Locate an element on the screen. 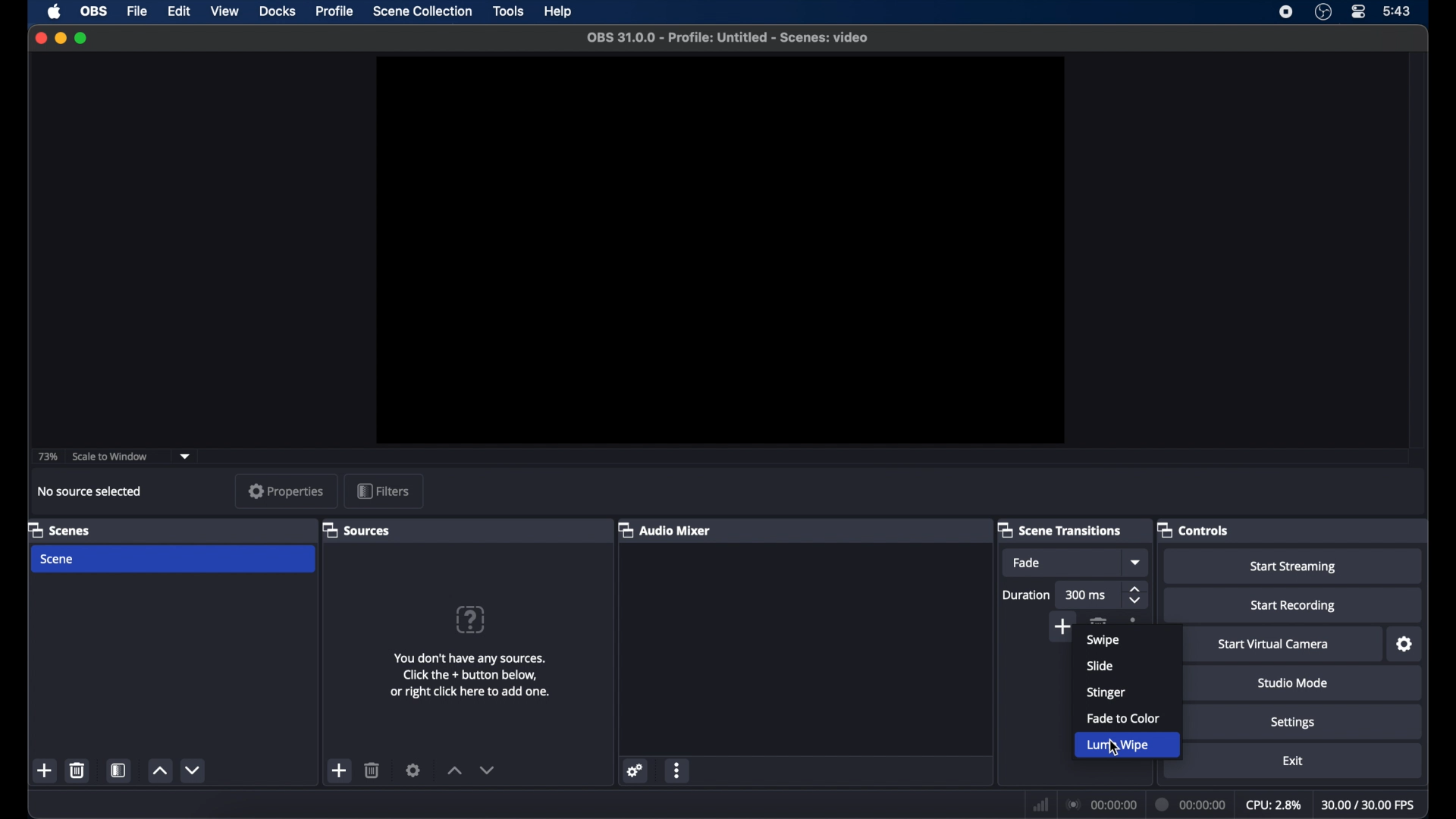 This screenshot has height=819, width=1456. delete is located at coordinates (77, 771).